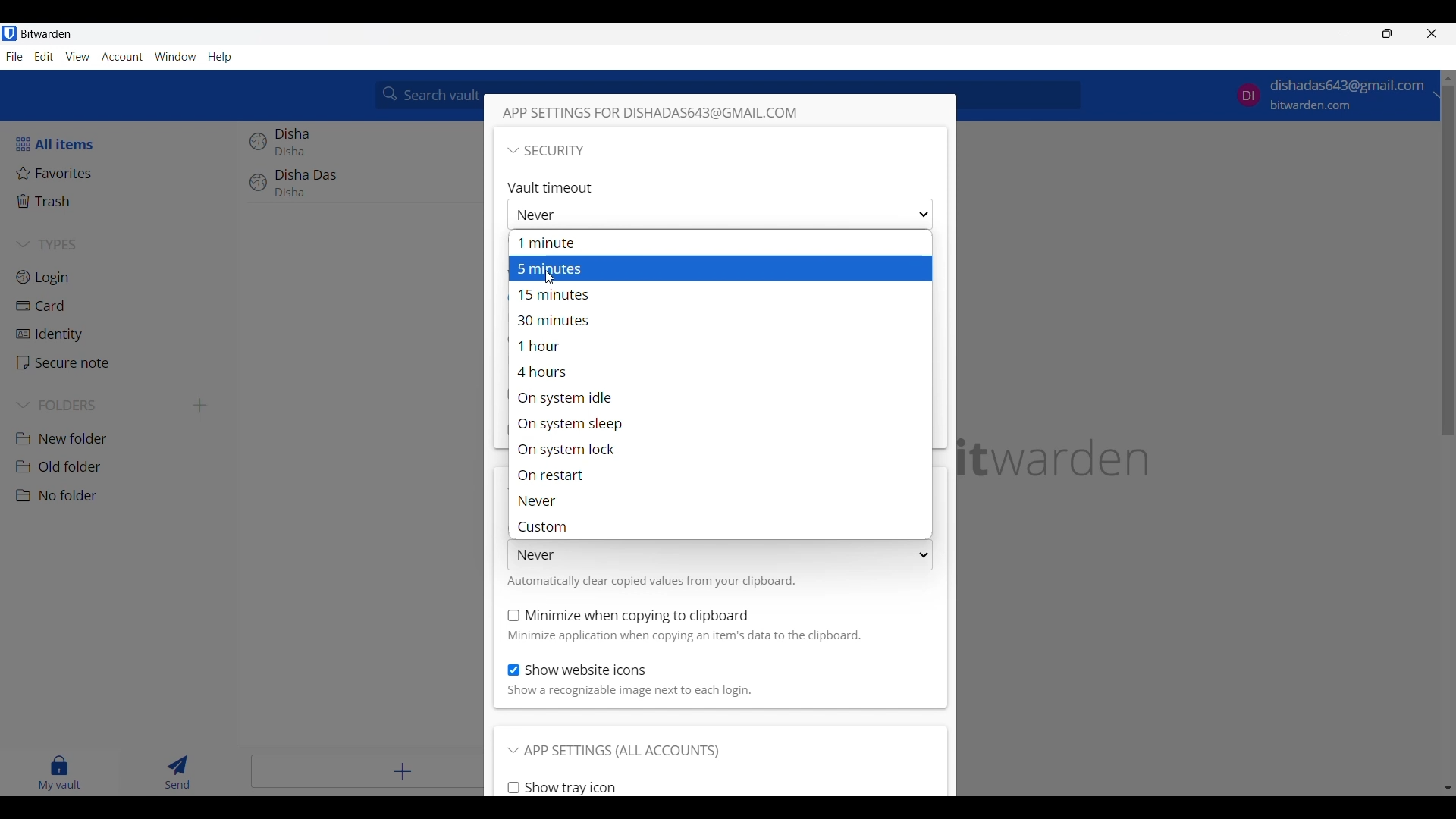 This screenshot has width=1456, height=819. I want to click on never, so click(717, 500).